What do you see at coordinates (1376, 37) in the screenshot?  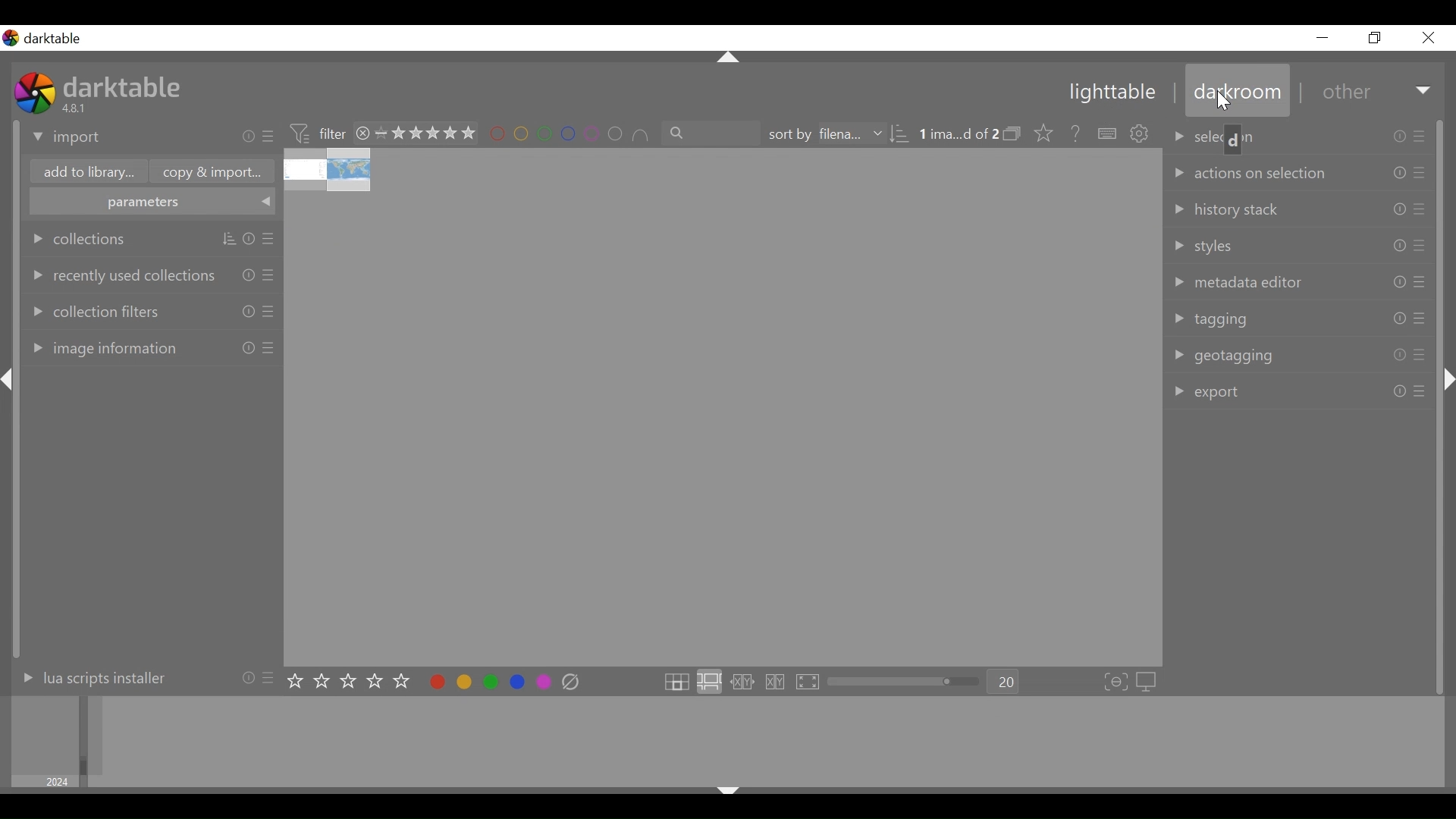 I see `` at bounding box center [1376, 37].